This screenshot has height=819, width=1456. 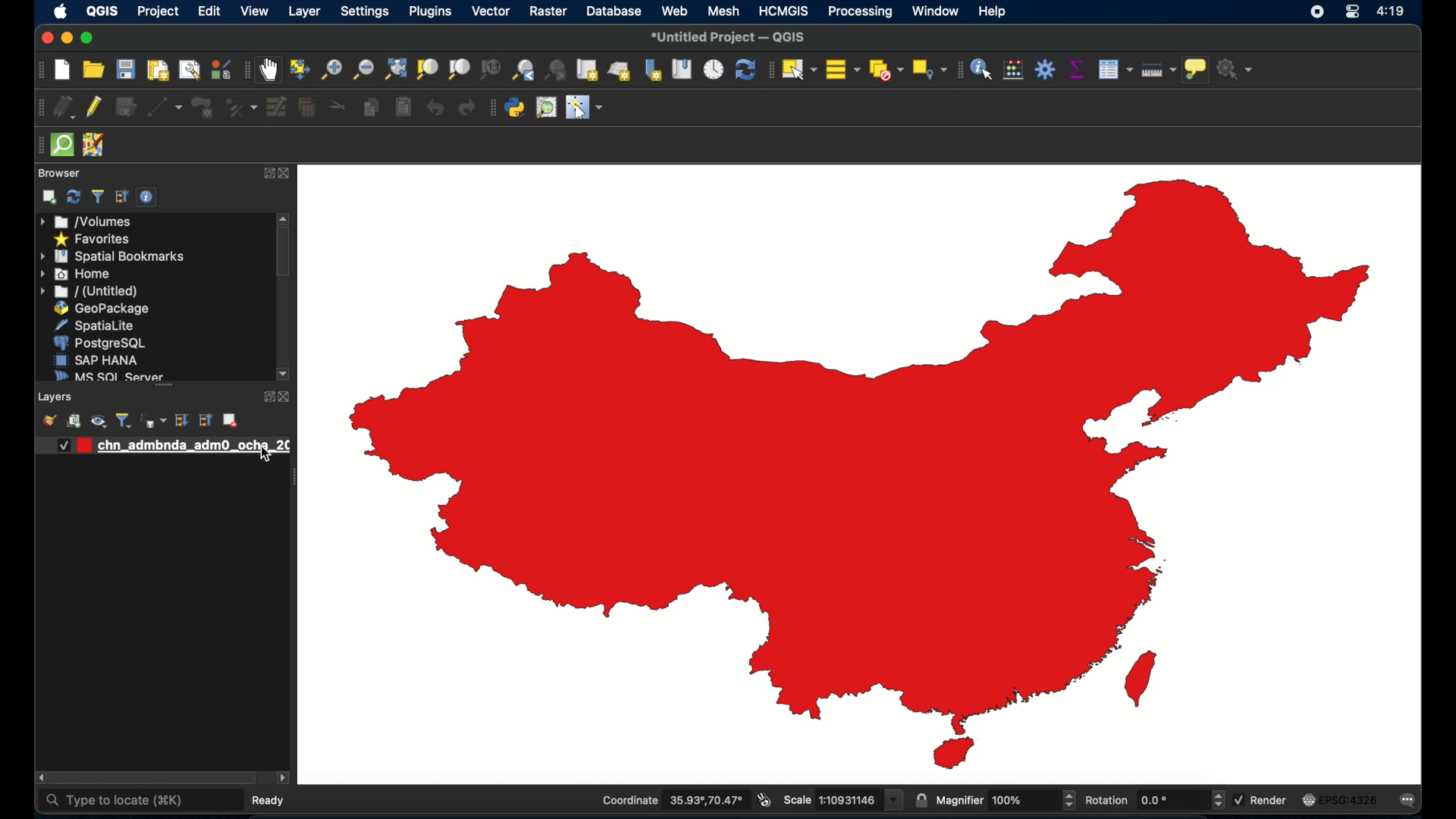 What do you see at coordinates (654, 71) in the screenshot?
I see `new spatial bookmark` at bounding box center [654, 71].